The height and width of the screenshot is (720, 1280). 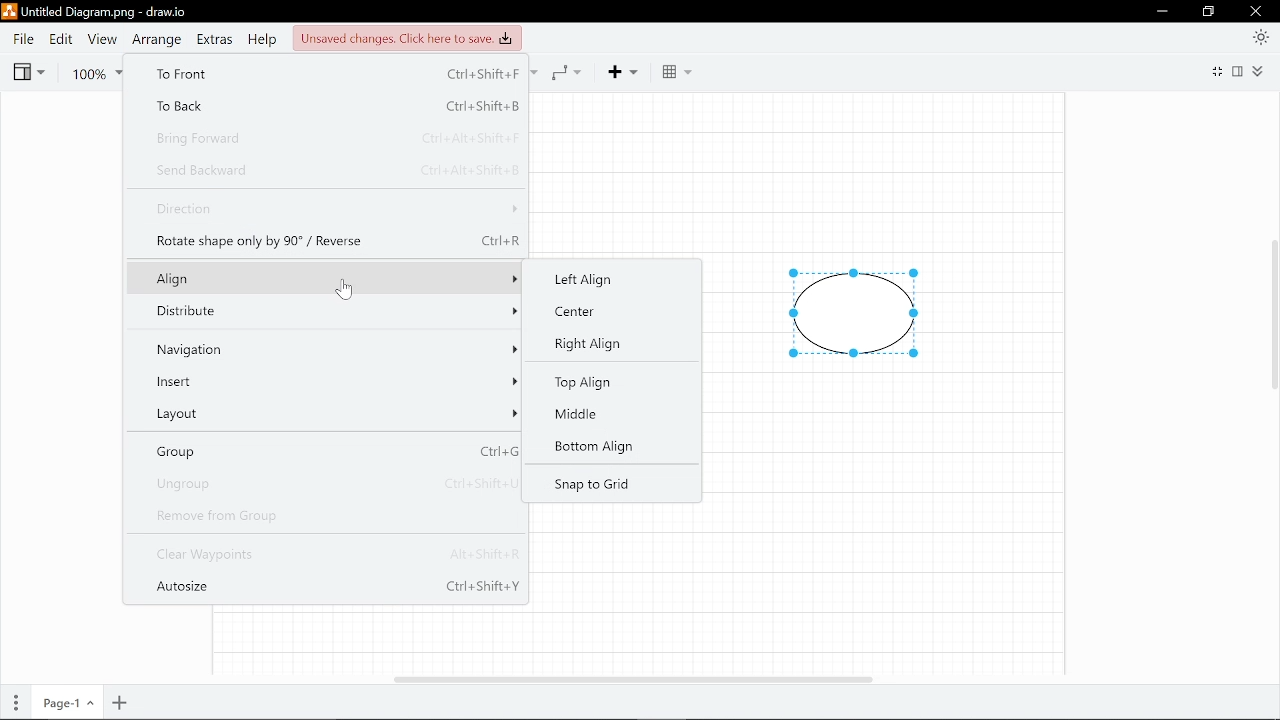 I want to click on Direction, so click(x=334, y=210).